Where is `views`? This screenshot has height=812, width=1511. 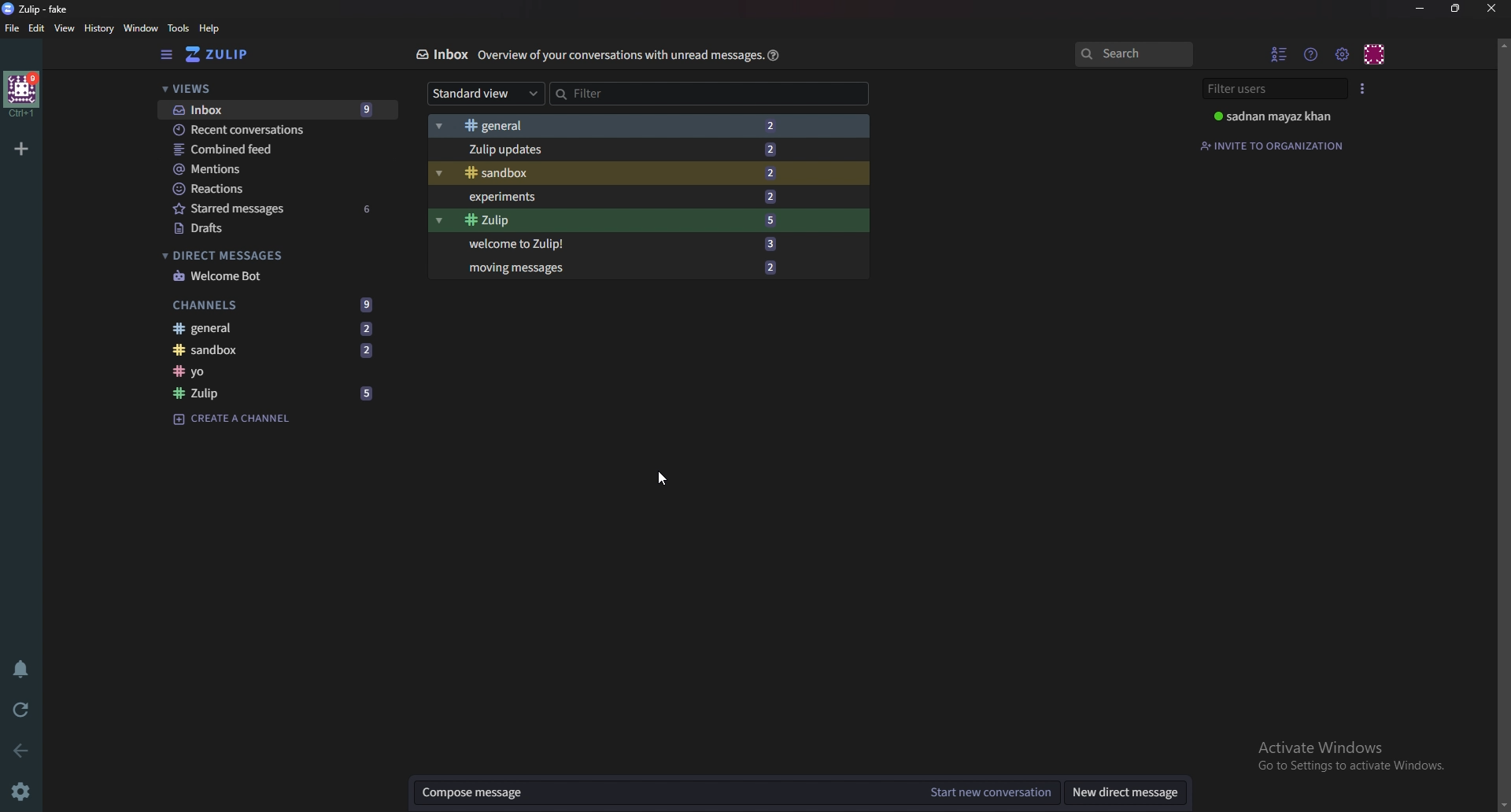
views is located at coordinates (261, 88).